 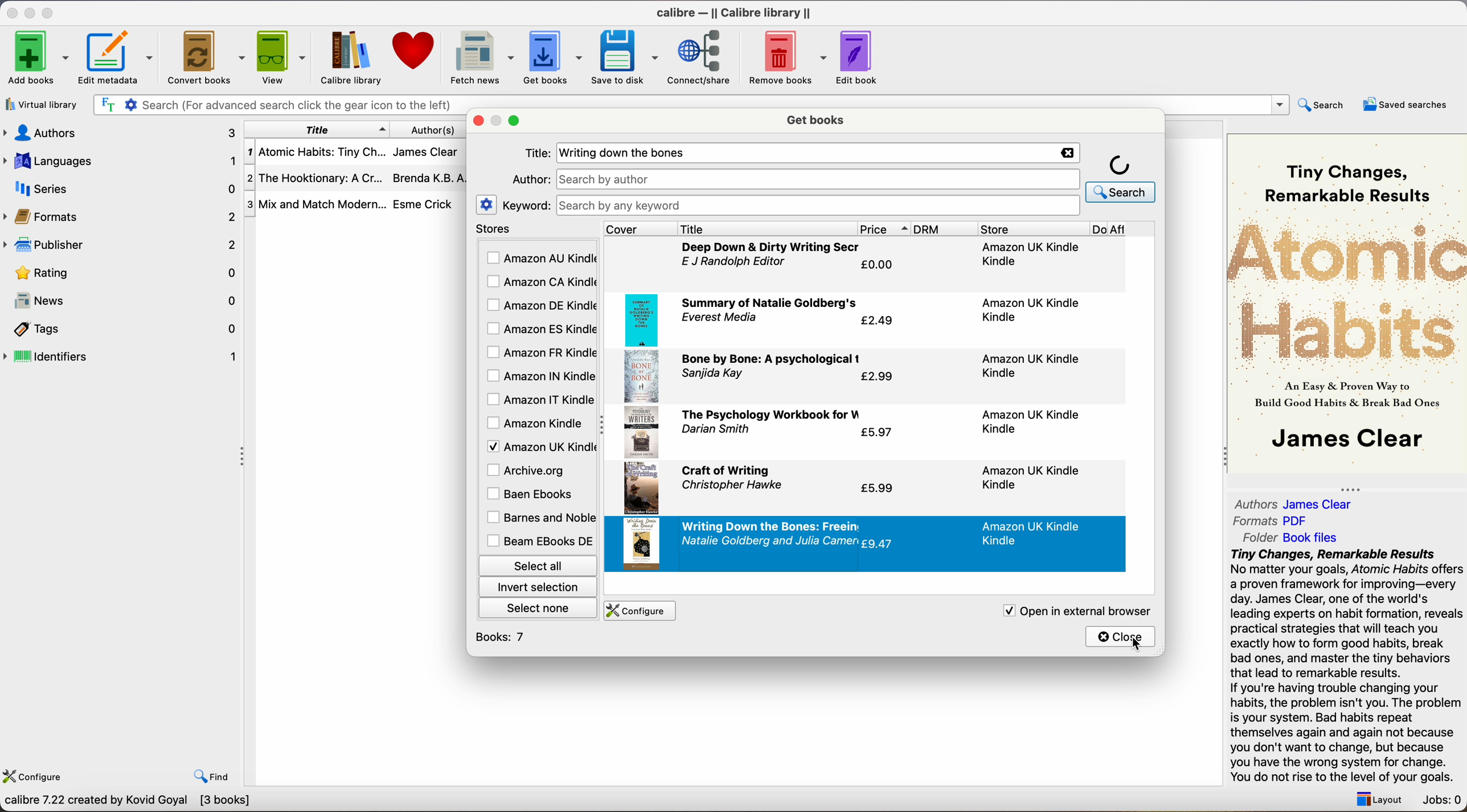 I want to click on Amazon IN Kindle, so click(x=539, y=375).